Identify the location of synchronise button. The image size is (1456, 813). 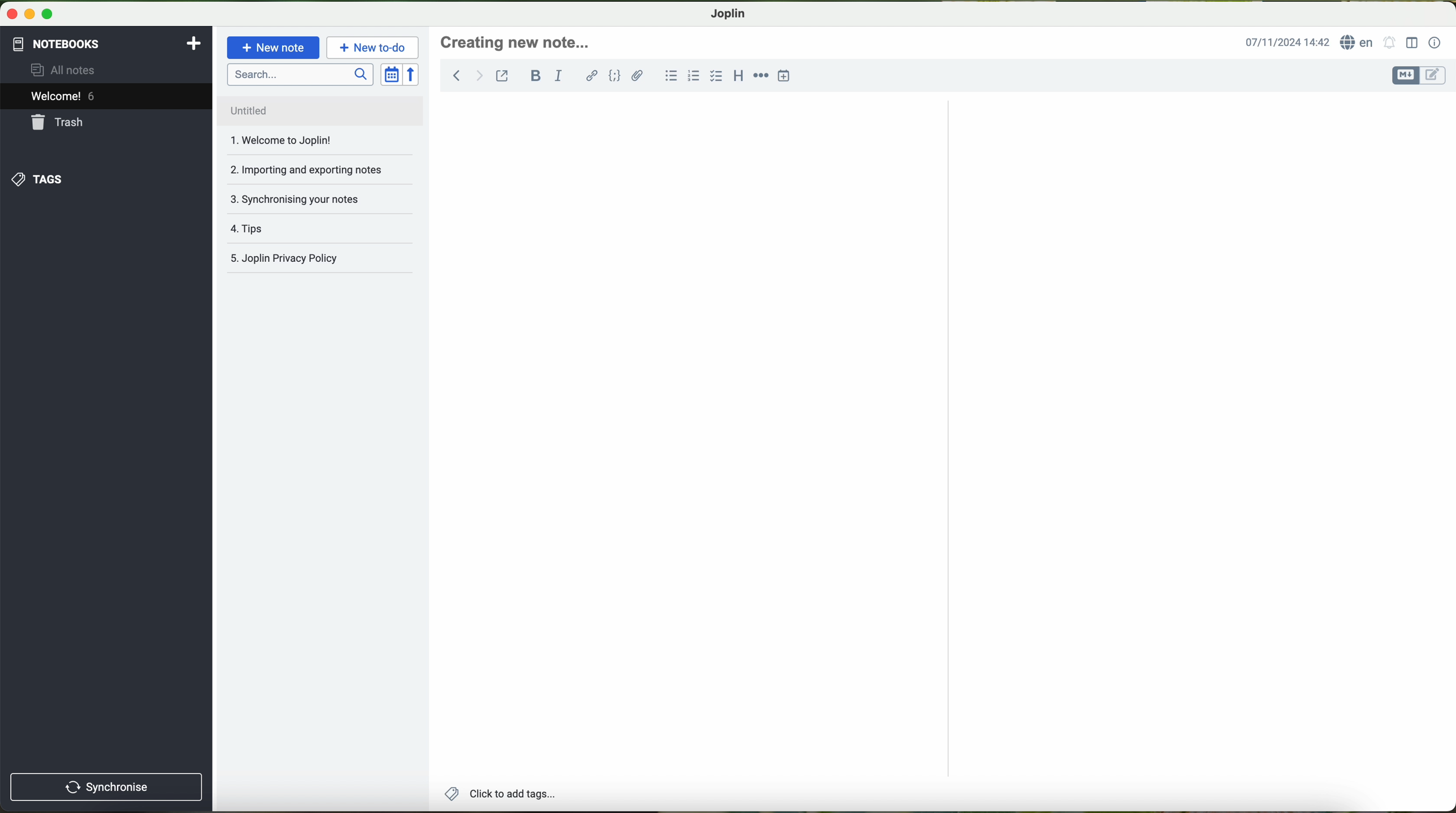
(107, 788).